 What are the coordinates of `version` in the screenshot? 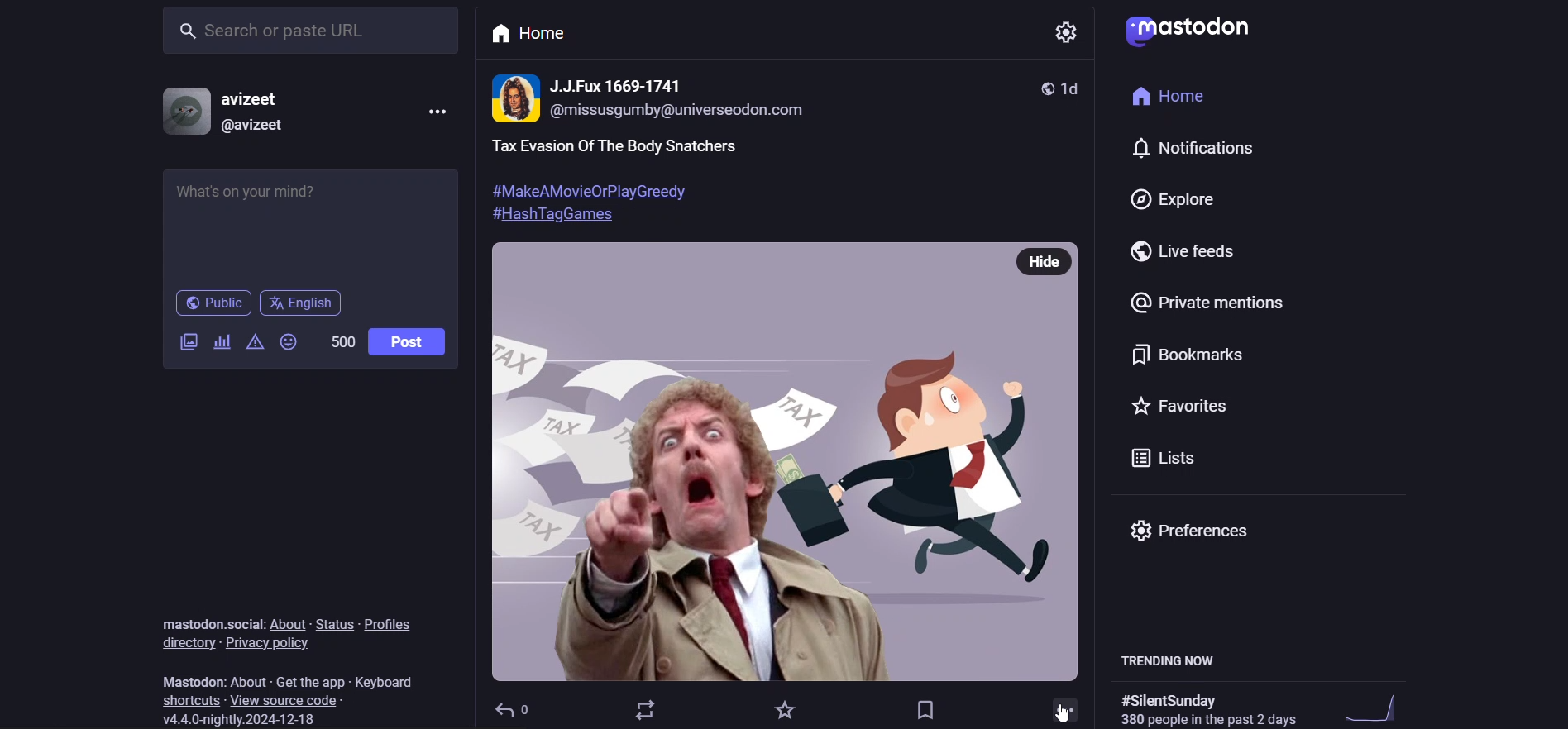 It's located at (240, 717).